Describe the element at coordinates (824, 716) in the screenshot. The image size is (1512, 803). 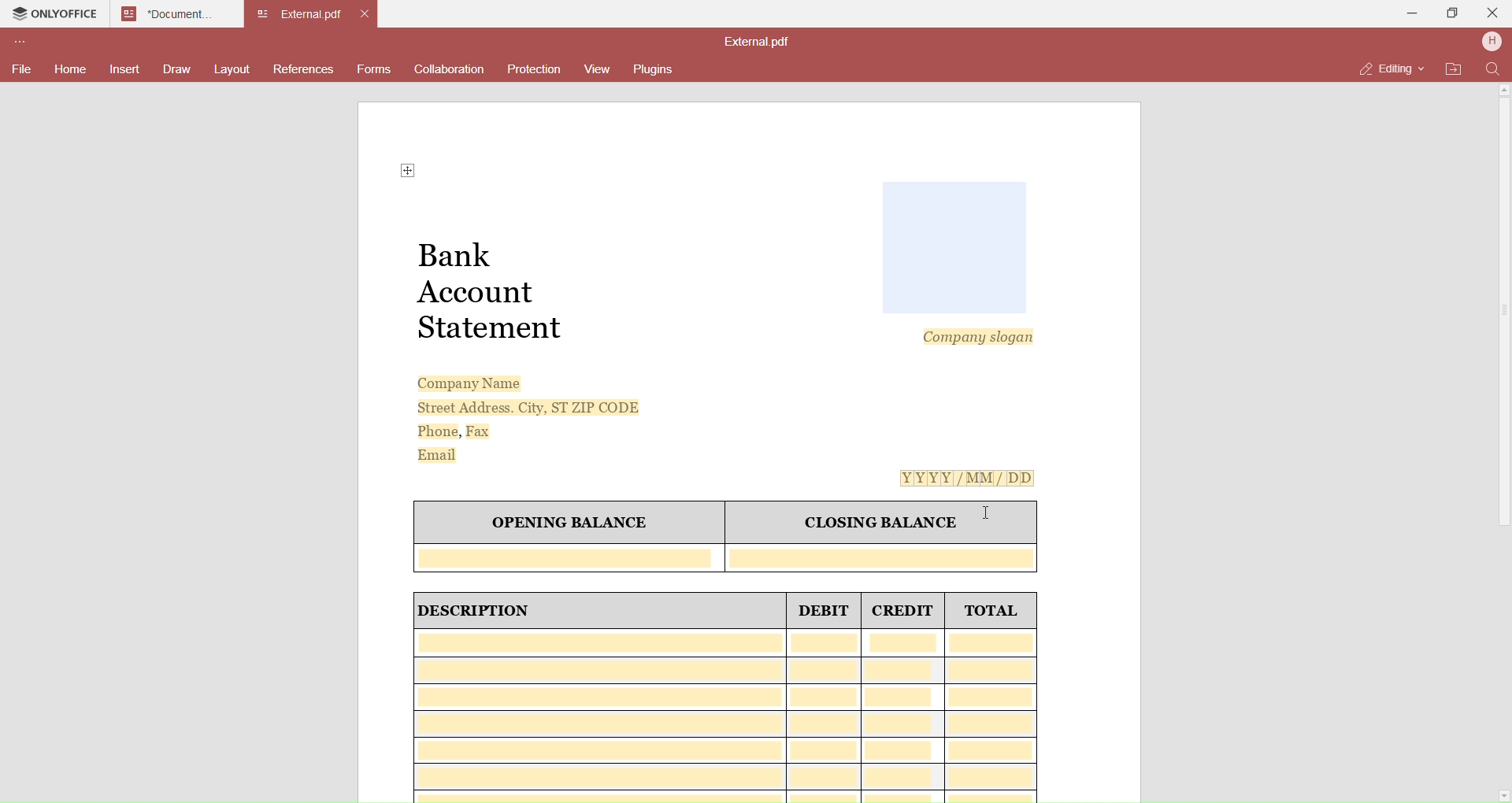
I see `debit cell` at that location.